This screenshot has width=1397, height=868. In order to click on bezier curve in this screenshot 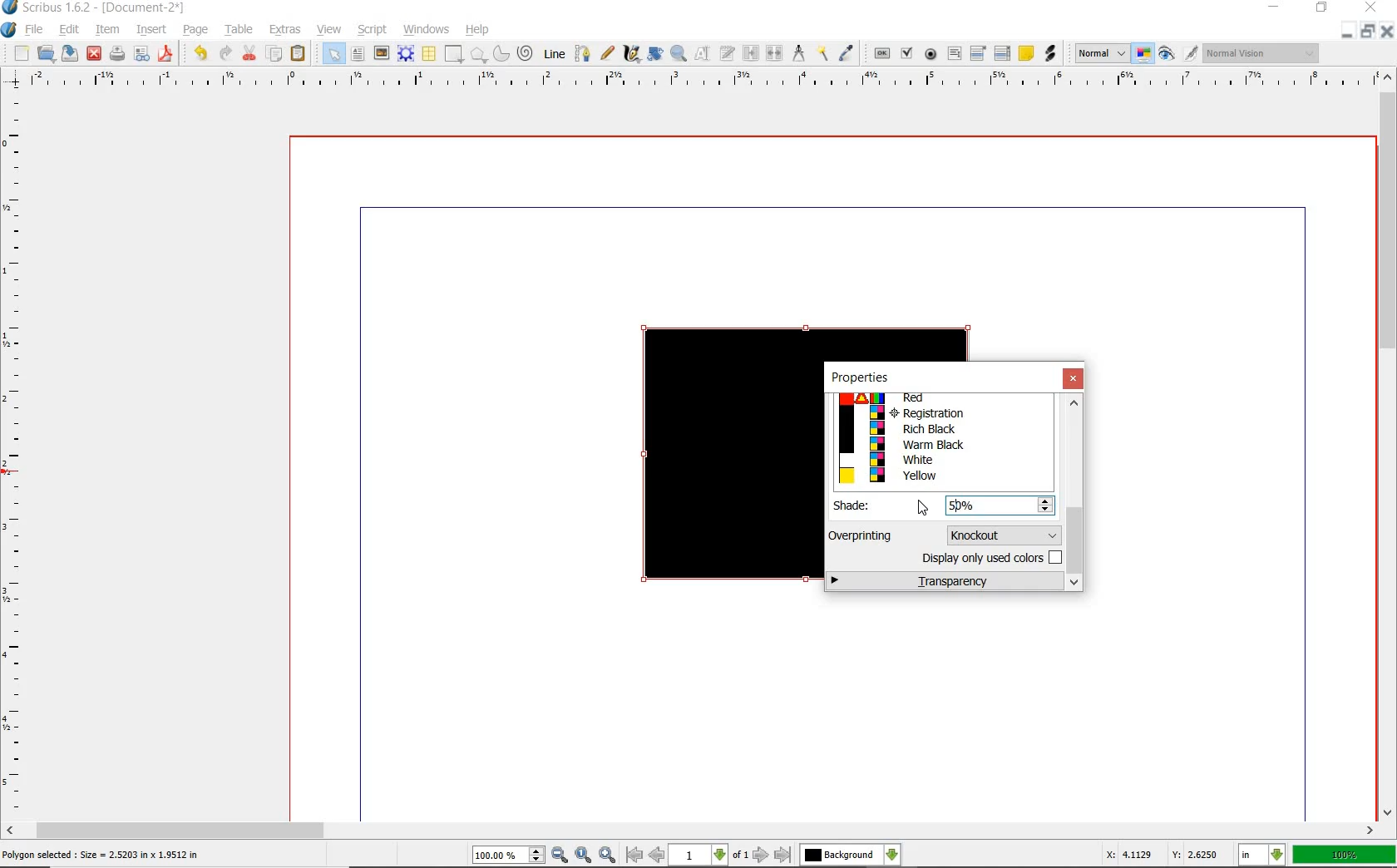, I will do `click(583, 53)`.